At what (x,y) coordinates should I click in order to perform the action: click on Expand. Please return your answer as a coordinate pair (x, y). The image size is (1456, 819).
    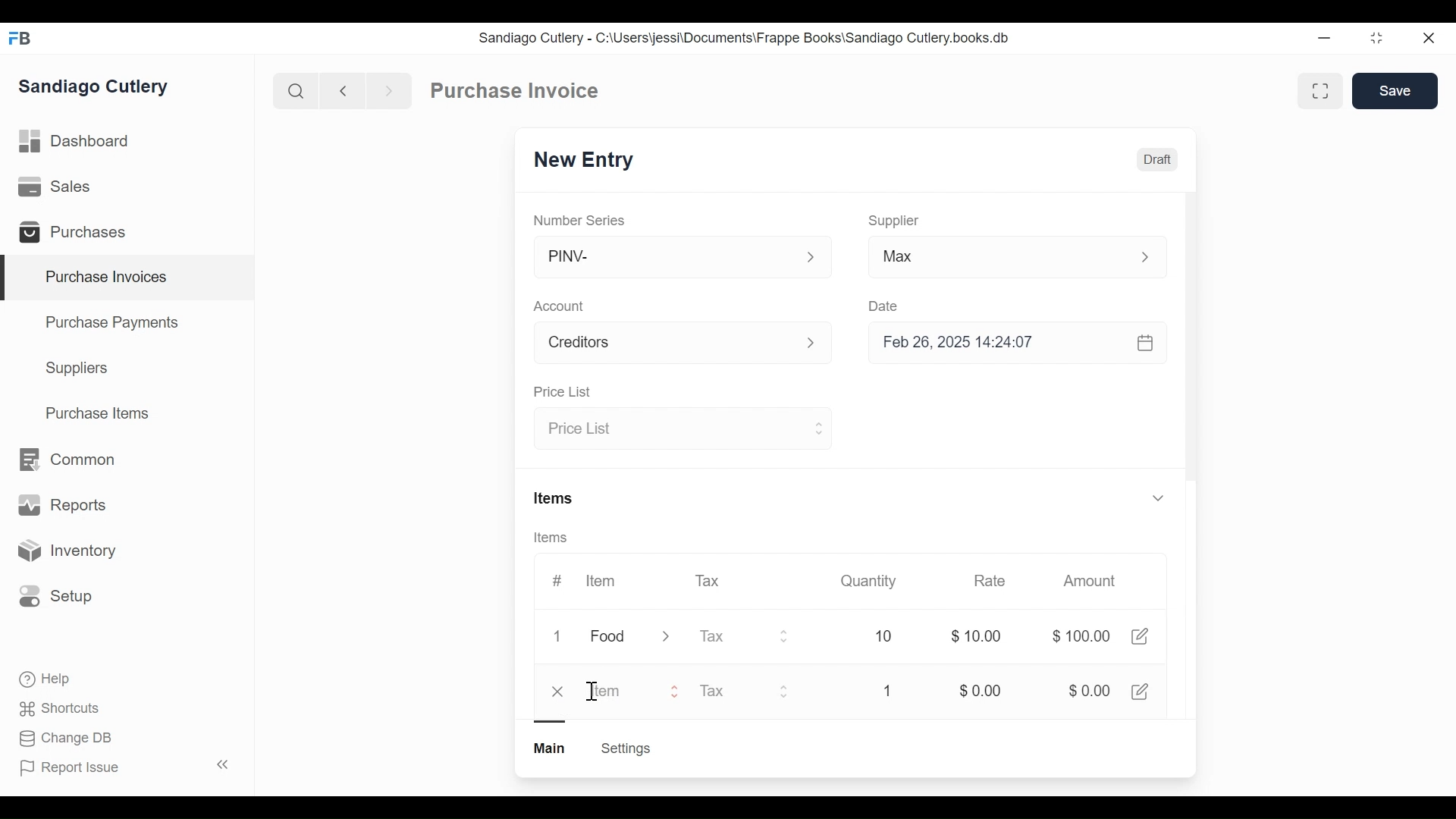
    Looking at the image, I should click on (820, 344).